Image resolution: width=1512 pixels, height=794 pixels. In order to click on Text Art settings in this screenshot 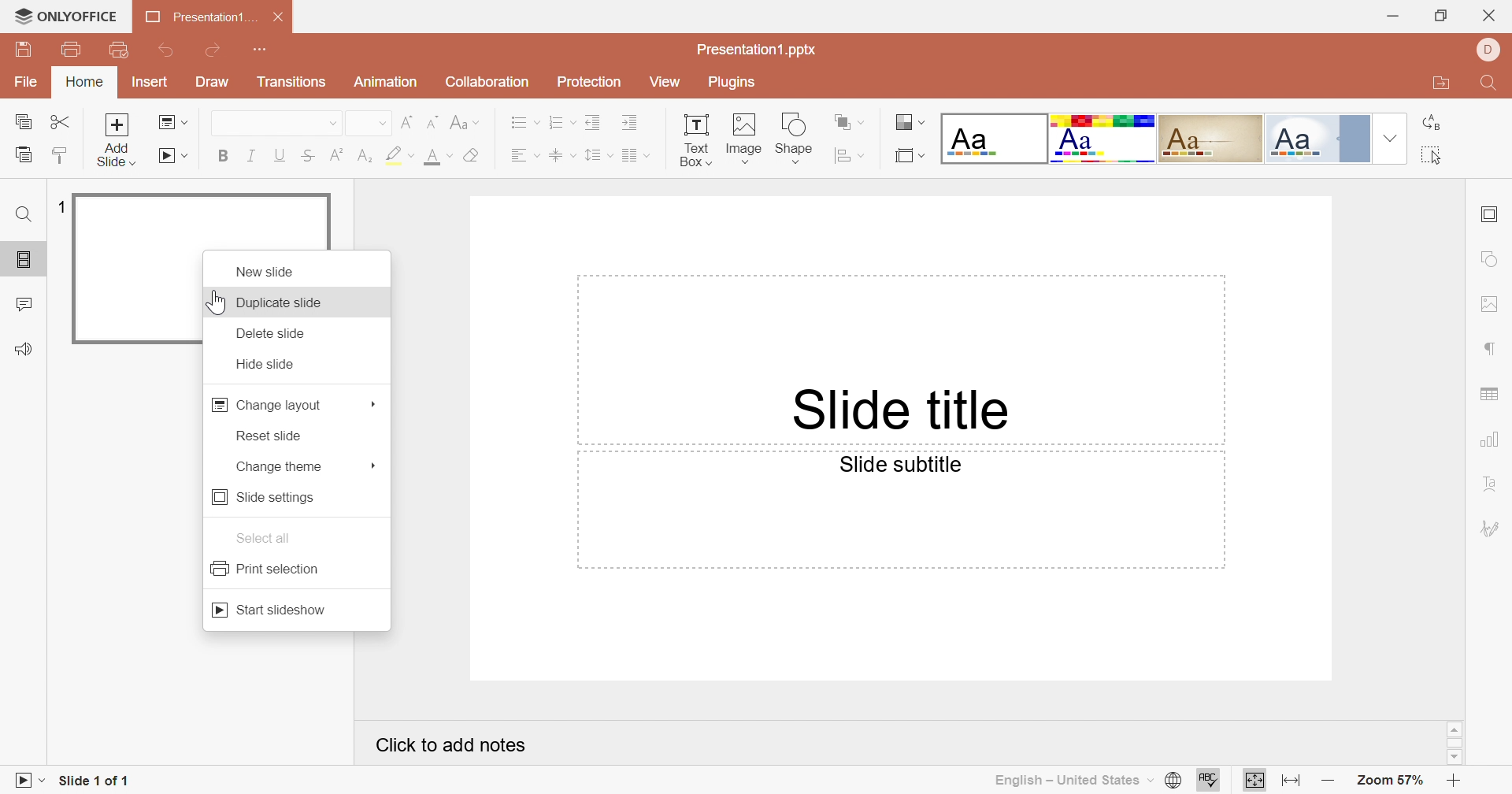, I will do `click(1492, 489)`.